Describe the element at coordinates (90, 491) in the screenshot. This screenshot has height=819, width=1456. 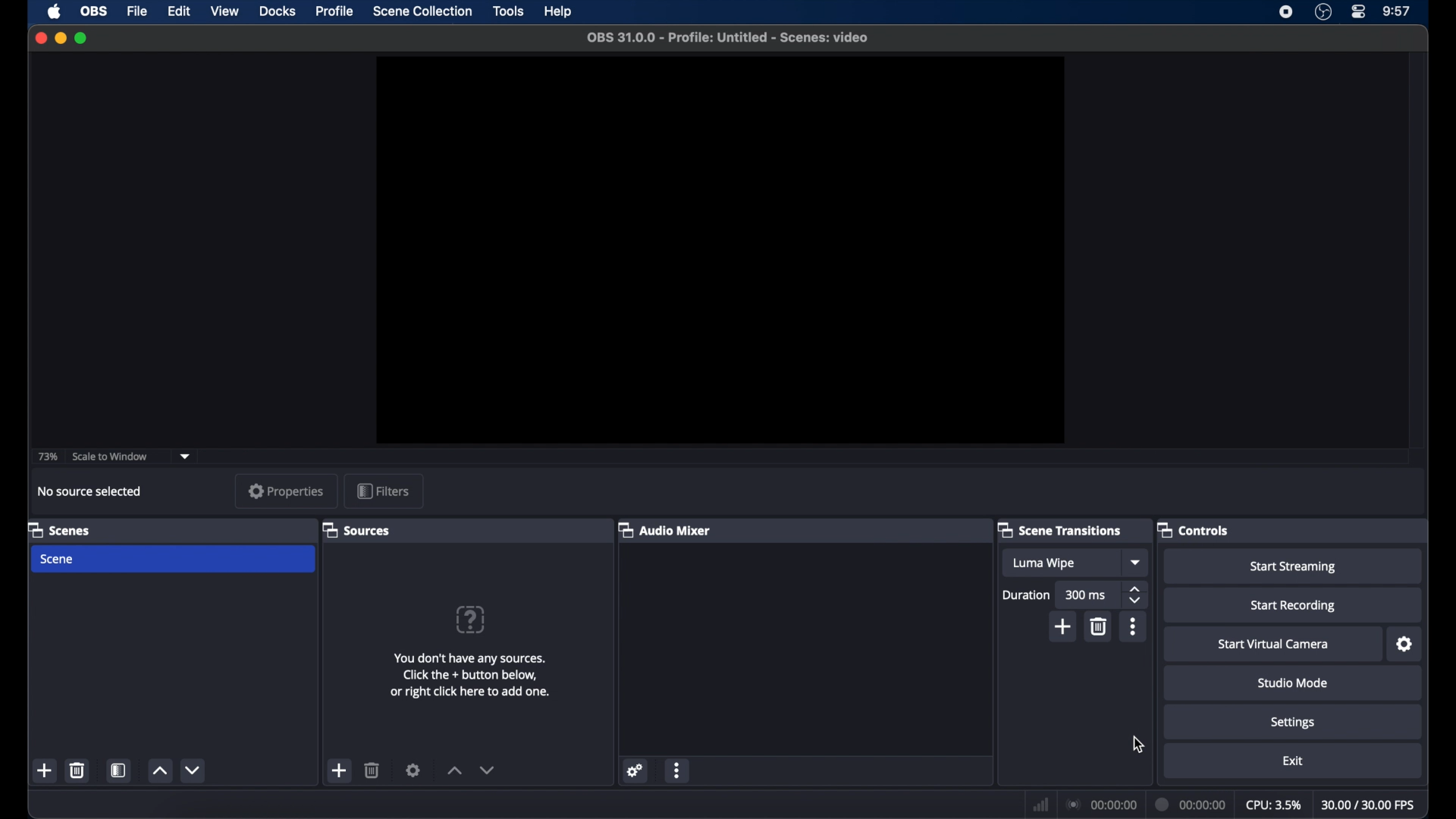
I see `no source selected` at that location.